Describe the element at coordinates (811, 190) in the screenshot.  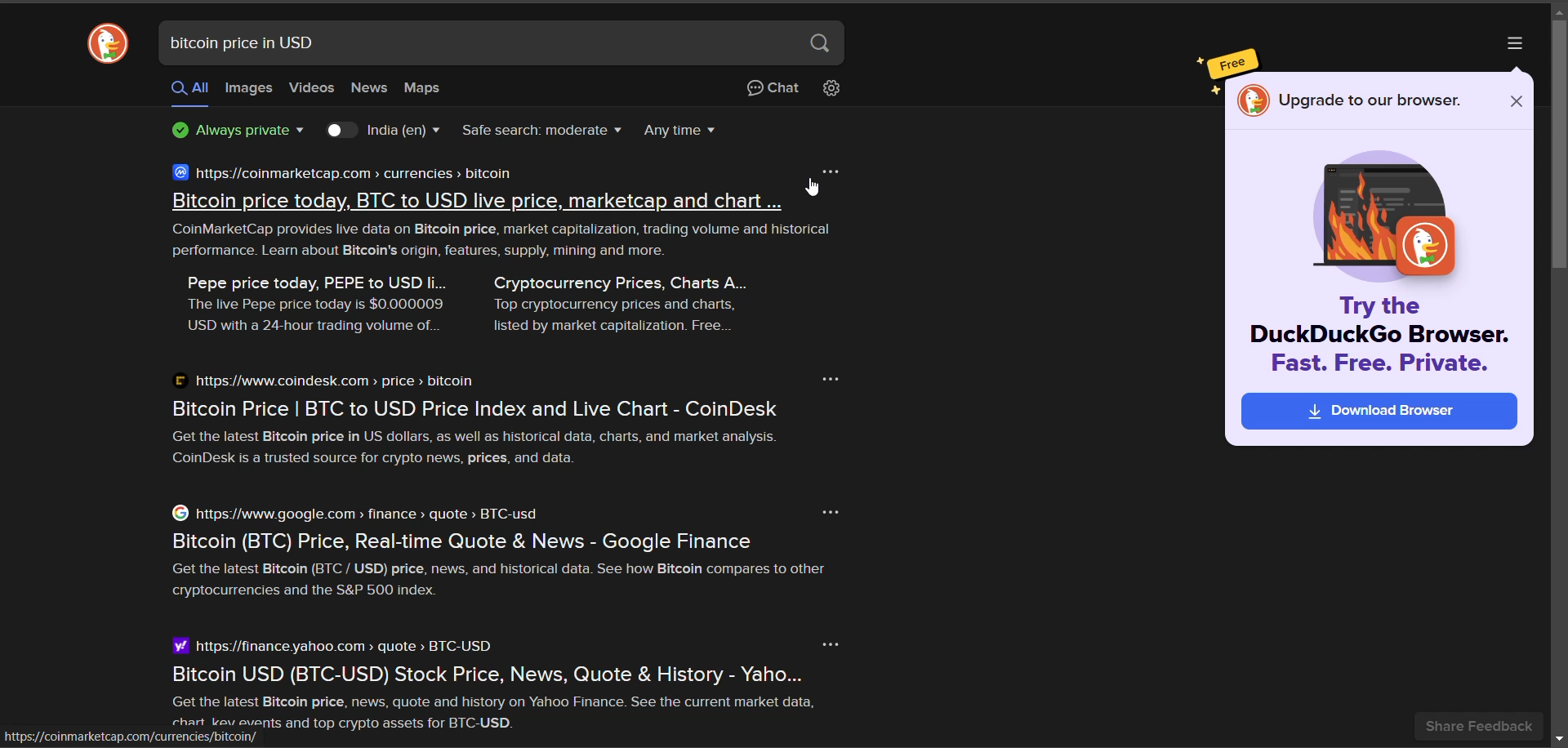
I see `cursor` at that location.